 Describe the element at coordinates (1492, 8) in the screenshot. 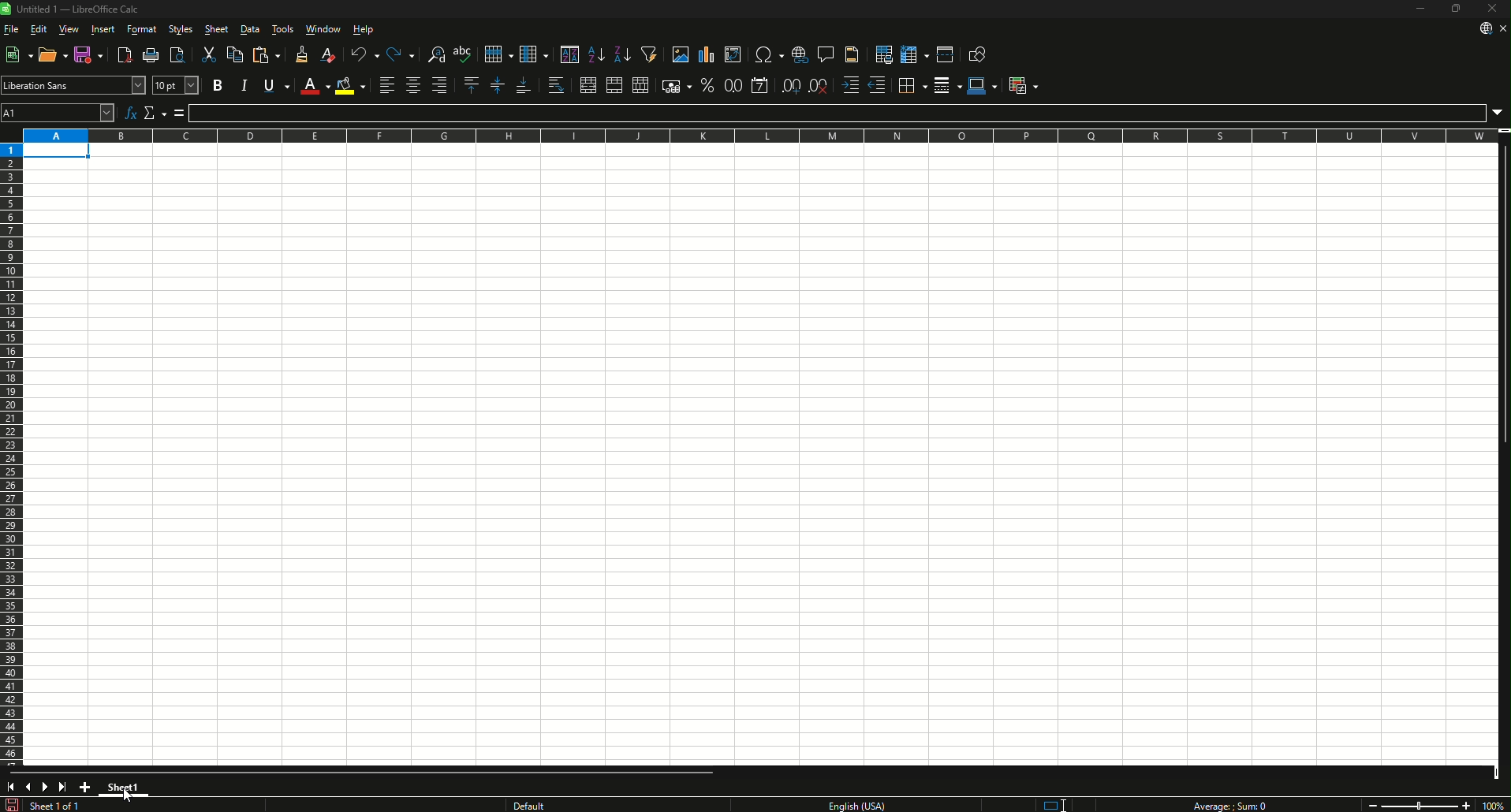

I see `Close` at that location.